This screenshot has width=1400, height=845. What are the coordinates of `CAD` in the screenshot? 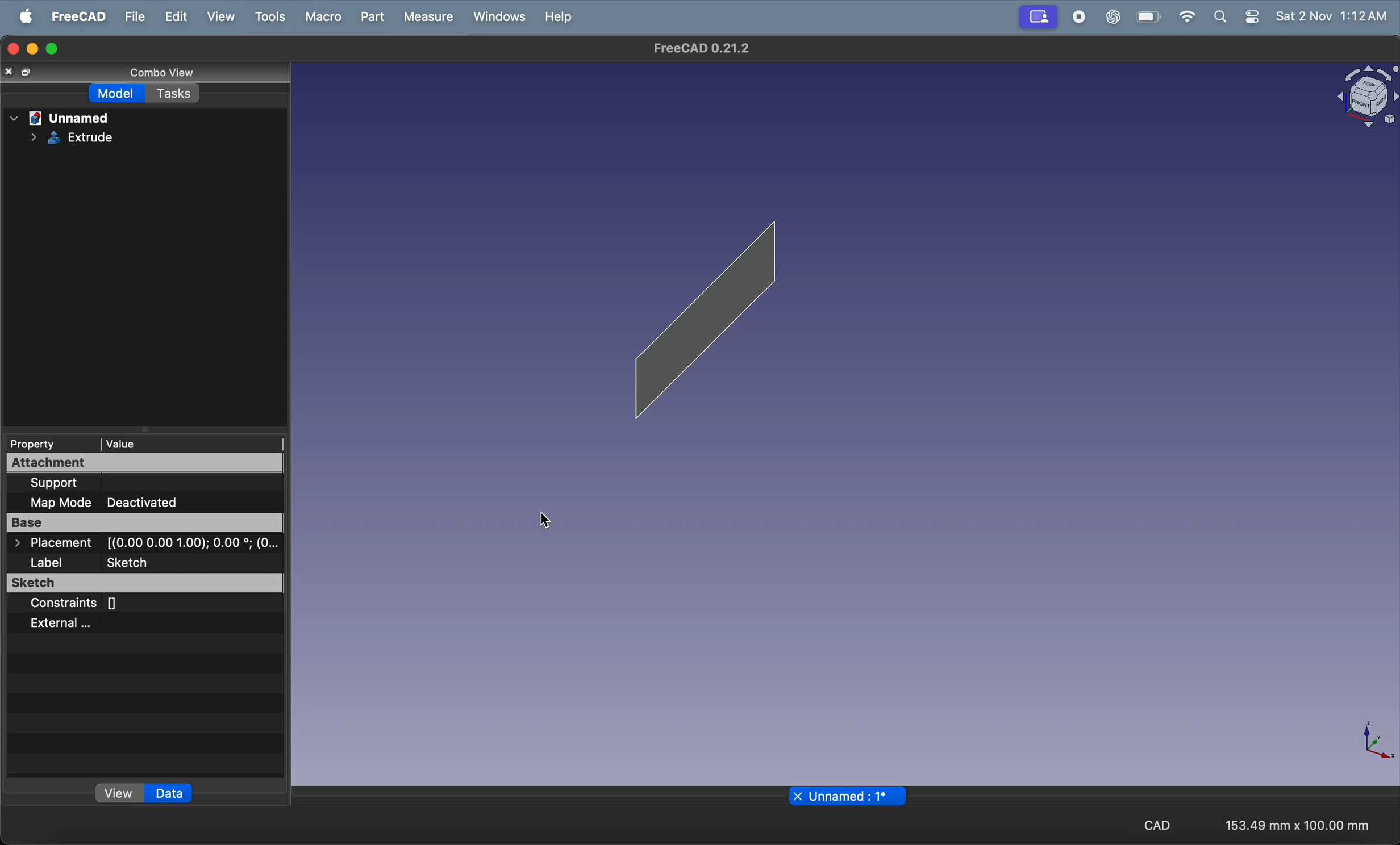 It's located at (1158, 826).